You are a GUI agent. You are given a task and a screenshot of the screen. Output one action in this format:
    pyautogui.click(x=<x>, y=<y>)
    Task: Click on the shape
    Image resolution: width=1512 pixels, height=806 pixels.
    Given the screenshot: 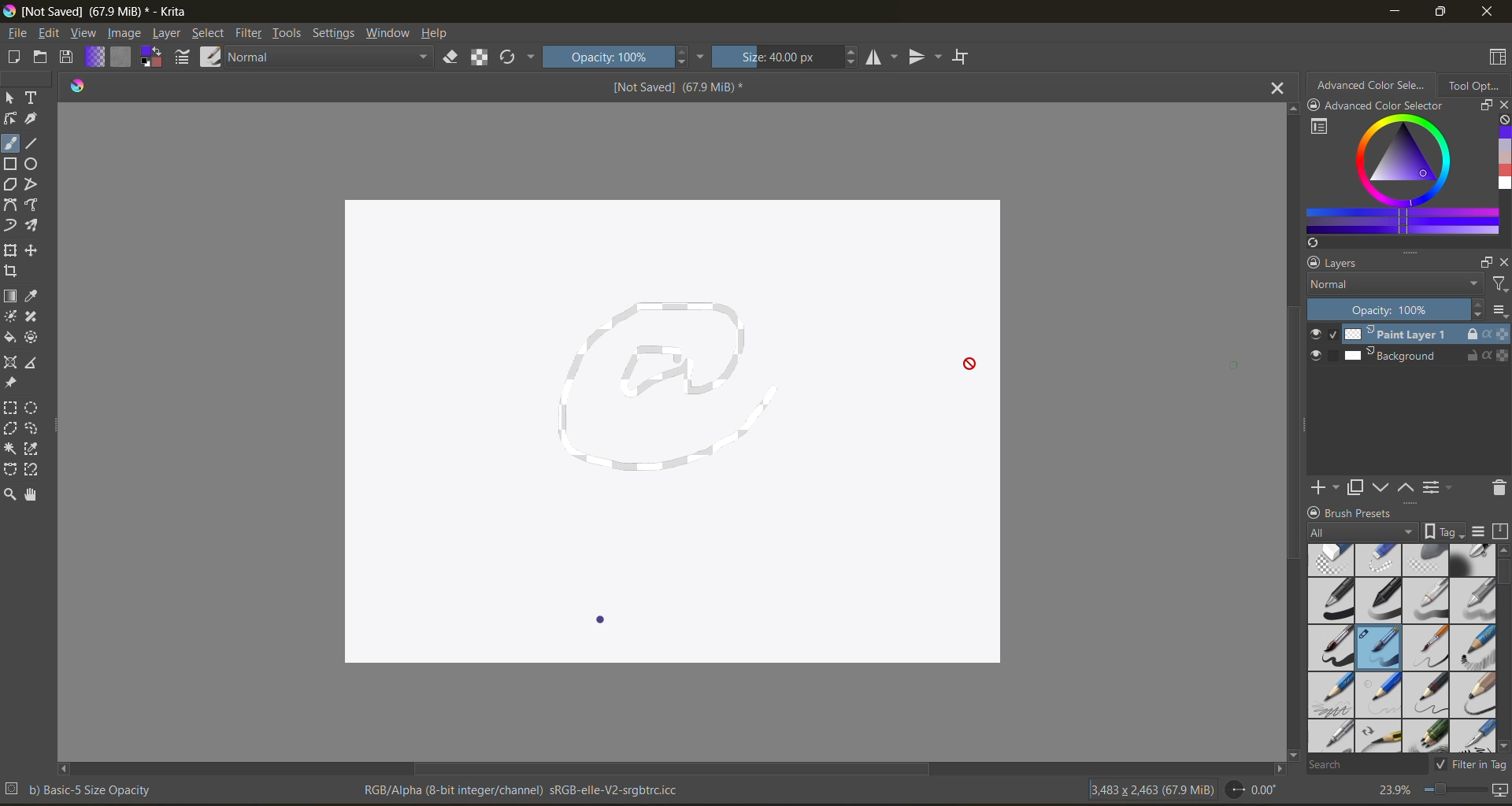 What is the action you would take?
    pyautogui.click(x=10, y=119)
    